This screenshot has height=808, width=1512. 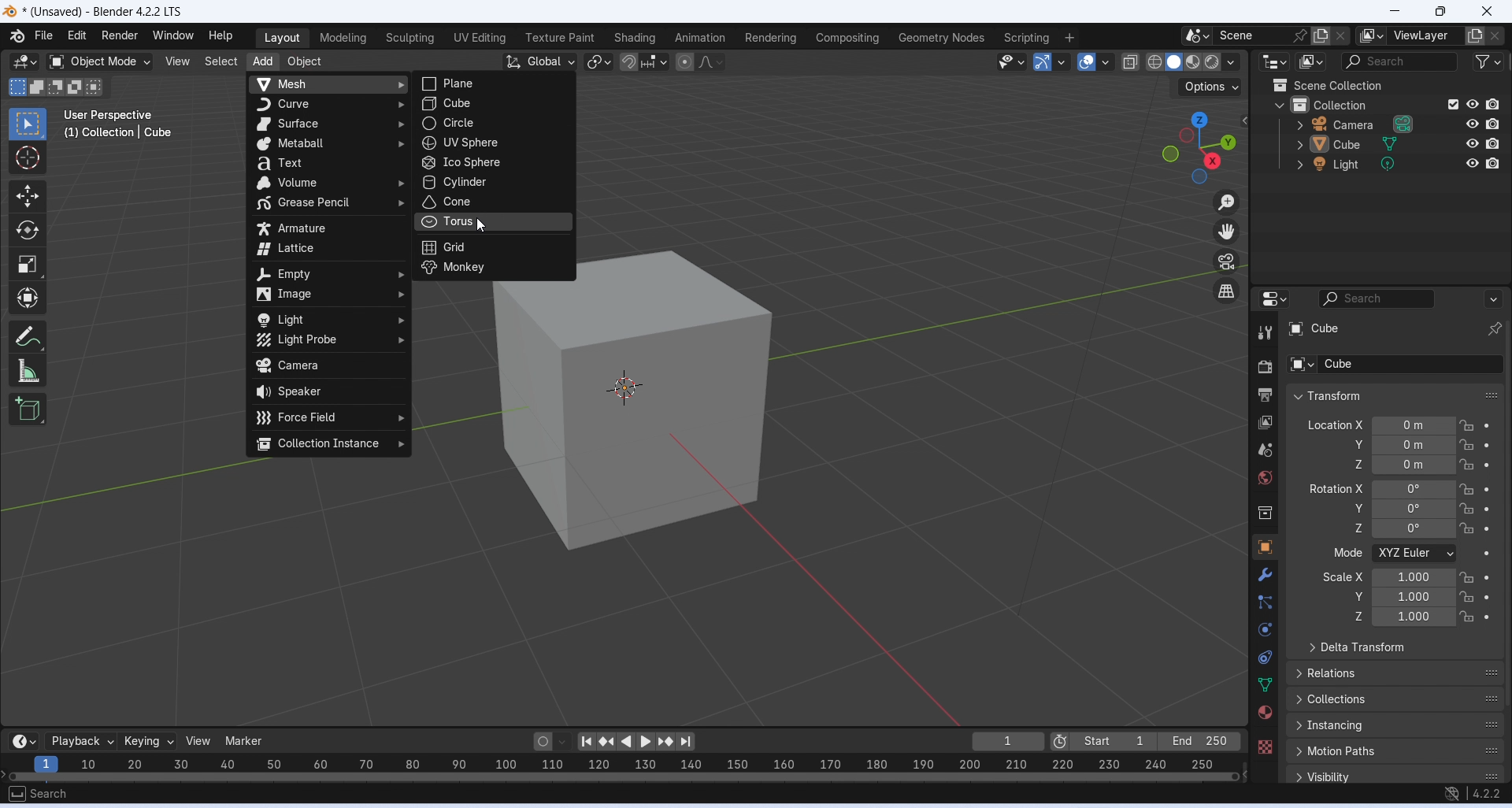 What do you see at coordinates (1248, 35) in the screenshot?
I see `Scene` at bounding box center [1248, 35].